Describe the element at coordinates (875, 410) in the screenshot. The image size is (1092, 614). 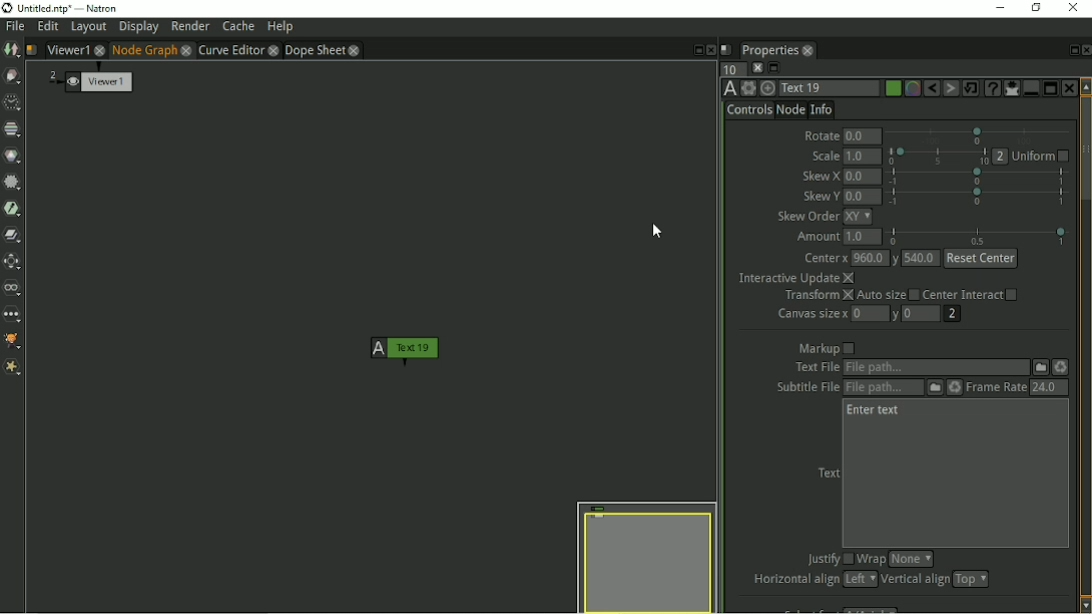
I see `Enter text` at that location.